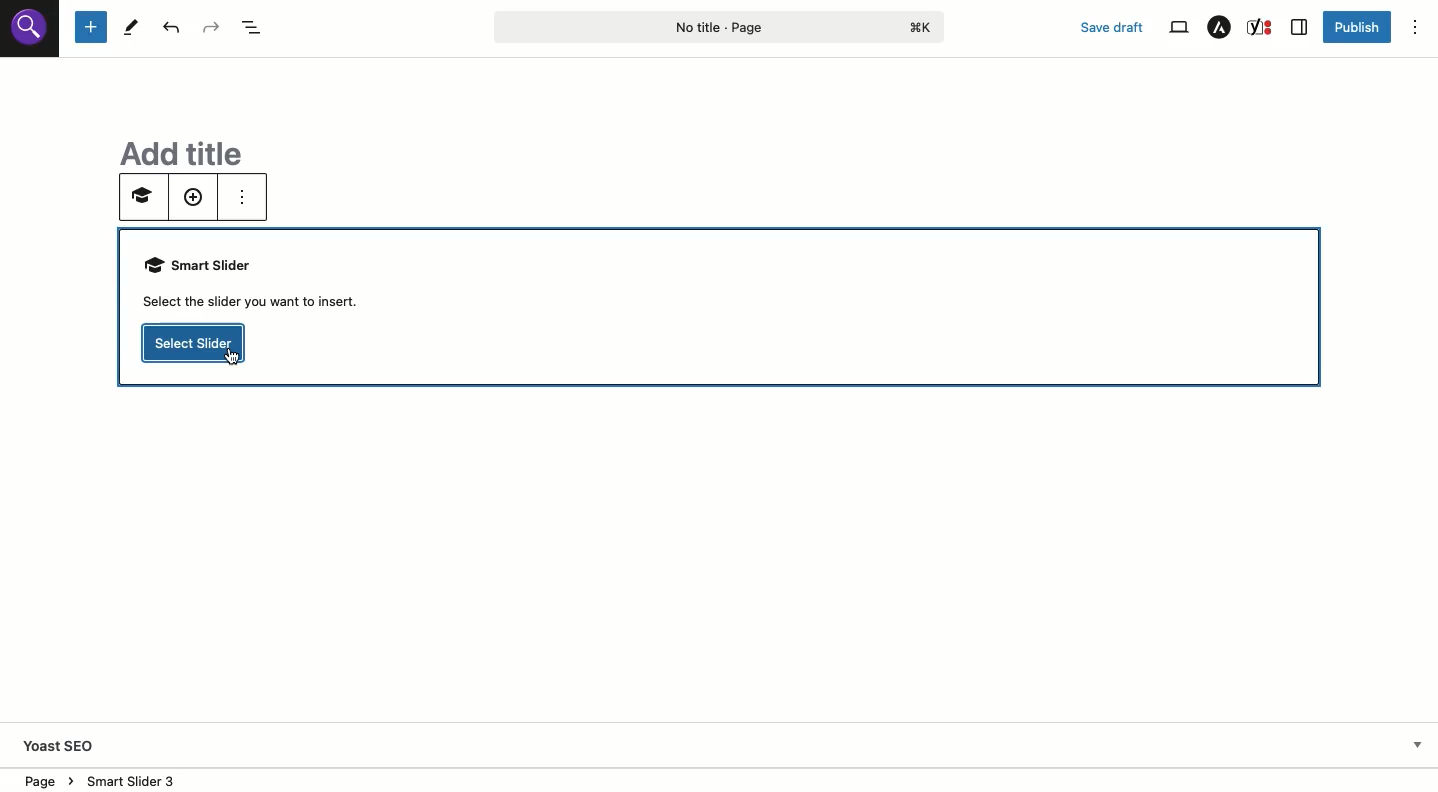 The height and width of the screenshot is (792, 1438). I want to click on show more below, so click(1416, 743).